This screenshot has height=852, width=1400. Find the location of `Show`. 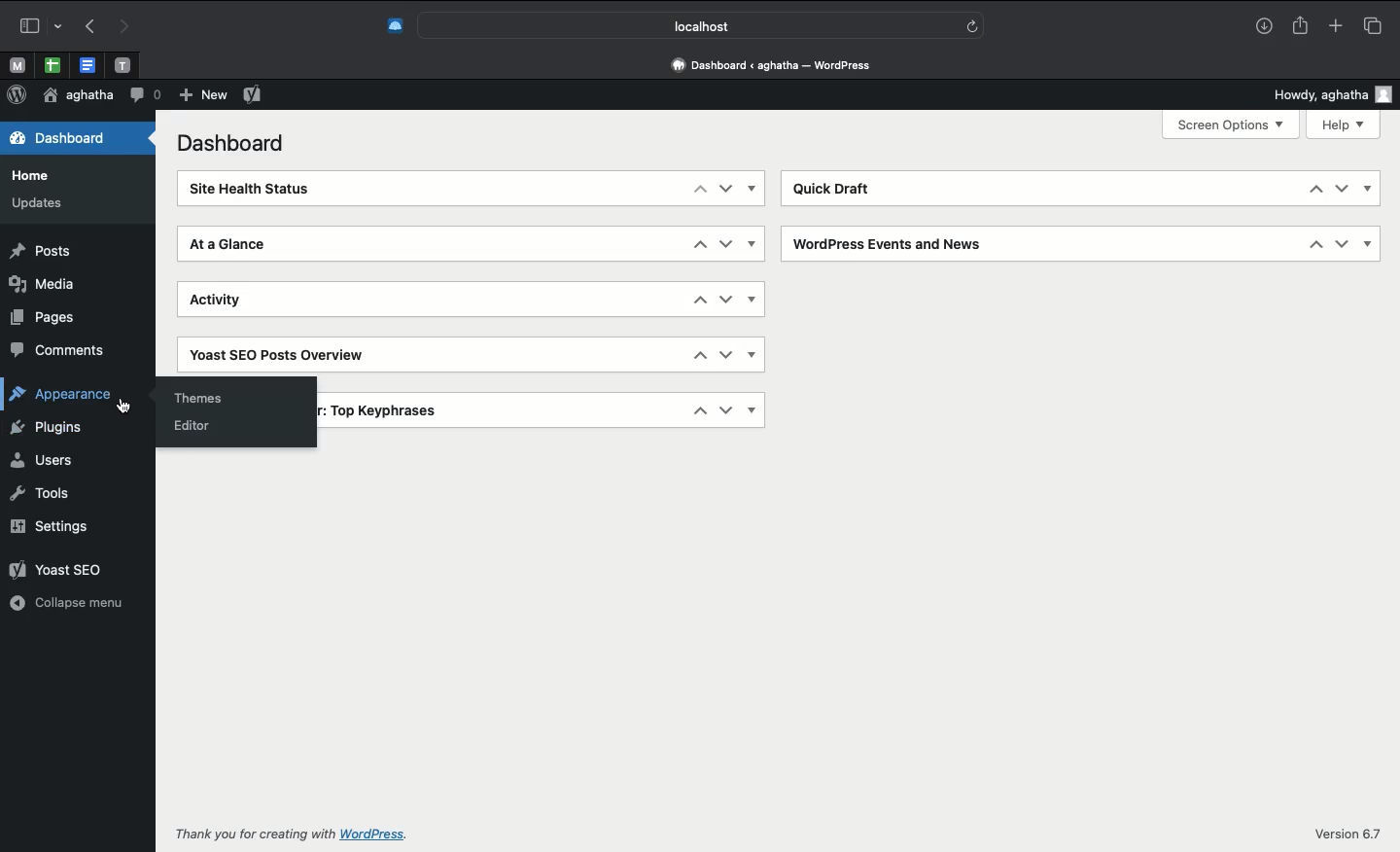

Show is located at coordinates (753, 189).